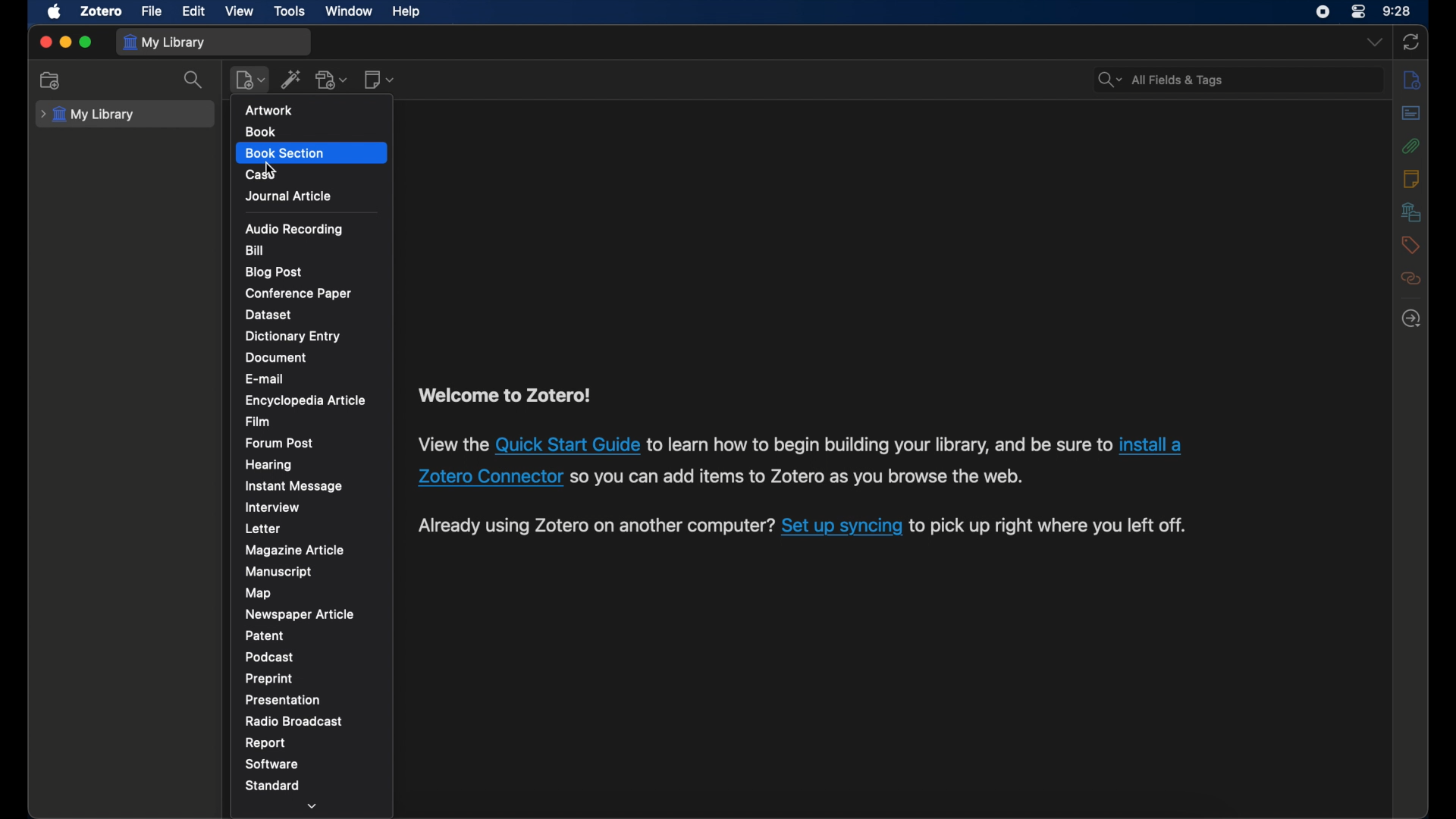  I want to click on sync, so click(1411, 43).